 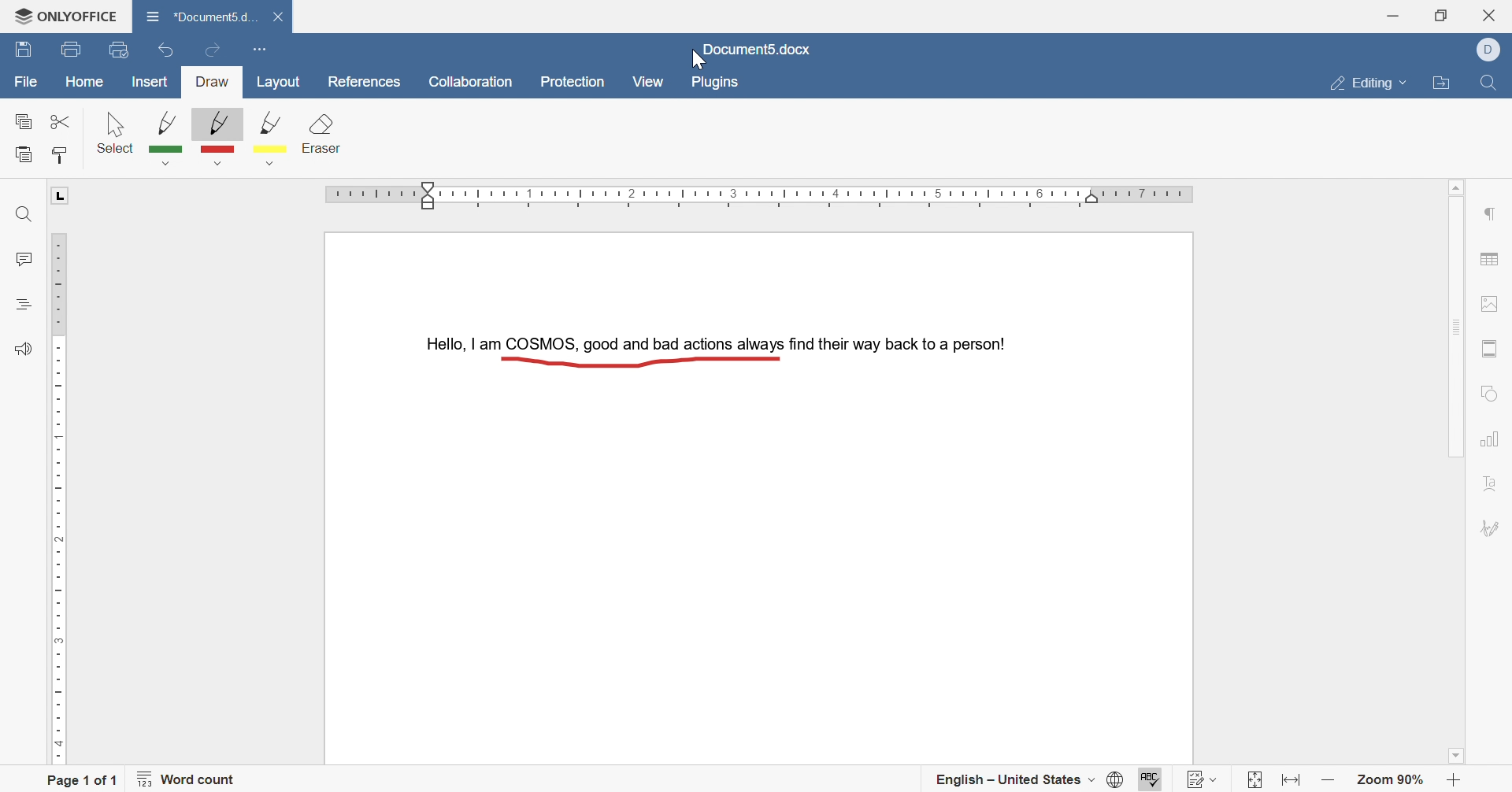 What do you see at coordinates (1461, 758) in the screenshot?
I see `scroll down` at bounding box center [1461, 758].